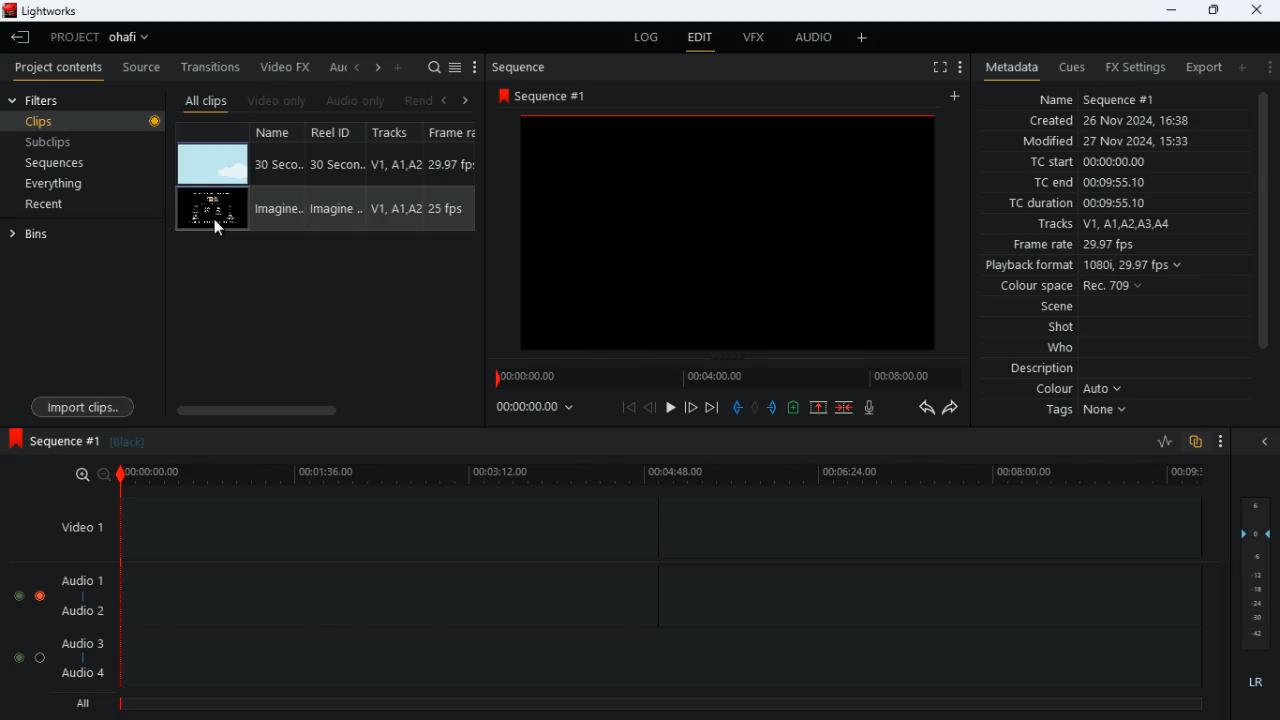 Image resolution: width=1280 pixels, height=720 pixels. I want to click on vfx, so click(760, 41).